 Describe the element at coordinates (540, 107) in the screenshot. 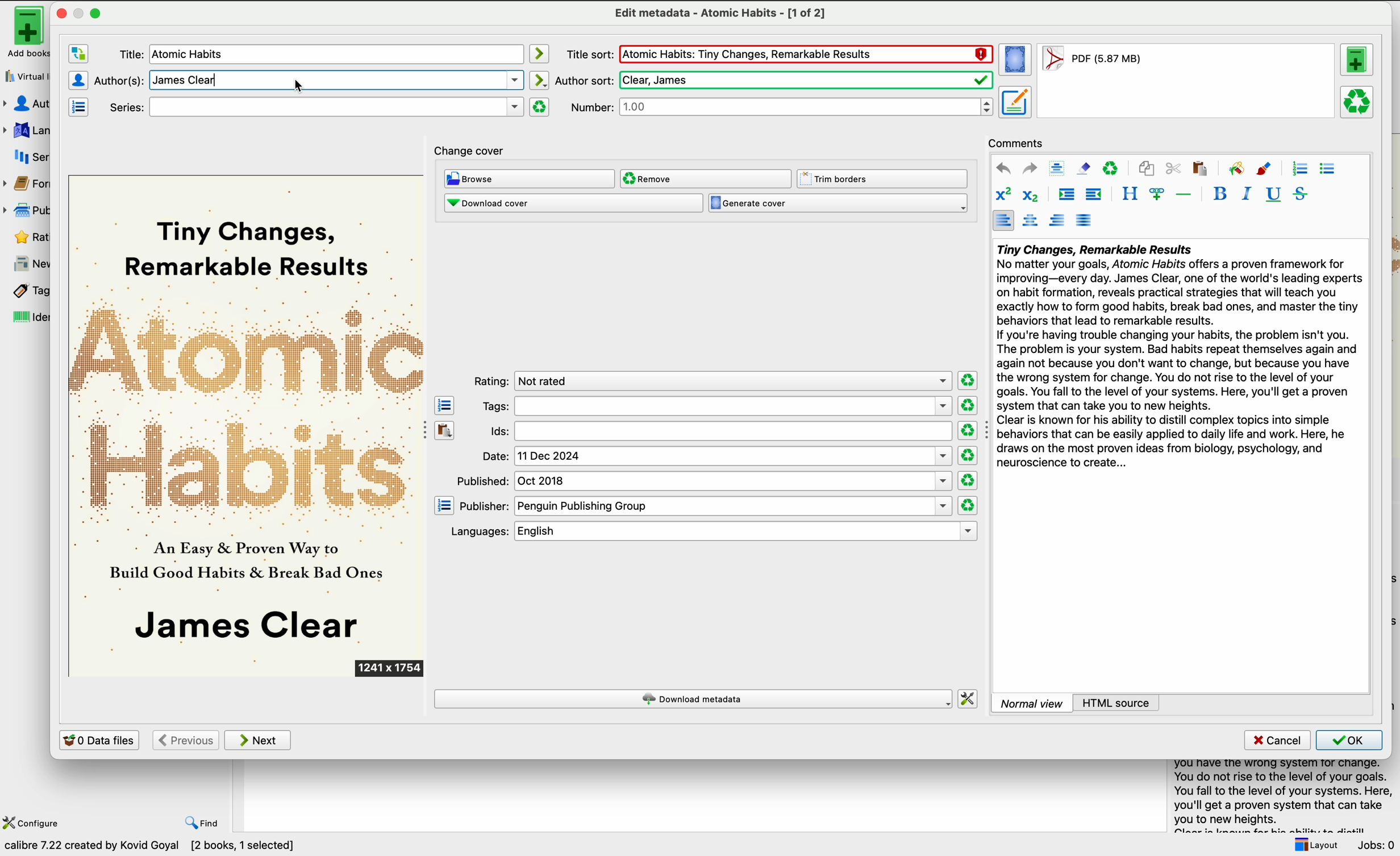

I see `clear series` at that location.